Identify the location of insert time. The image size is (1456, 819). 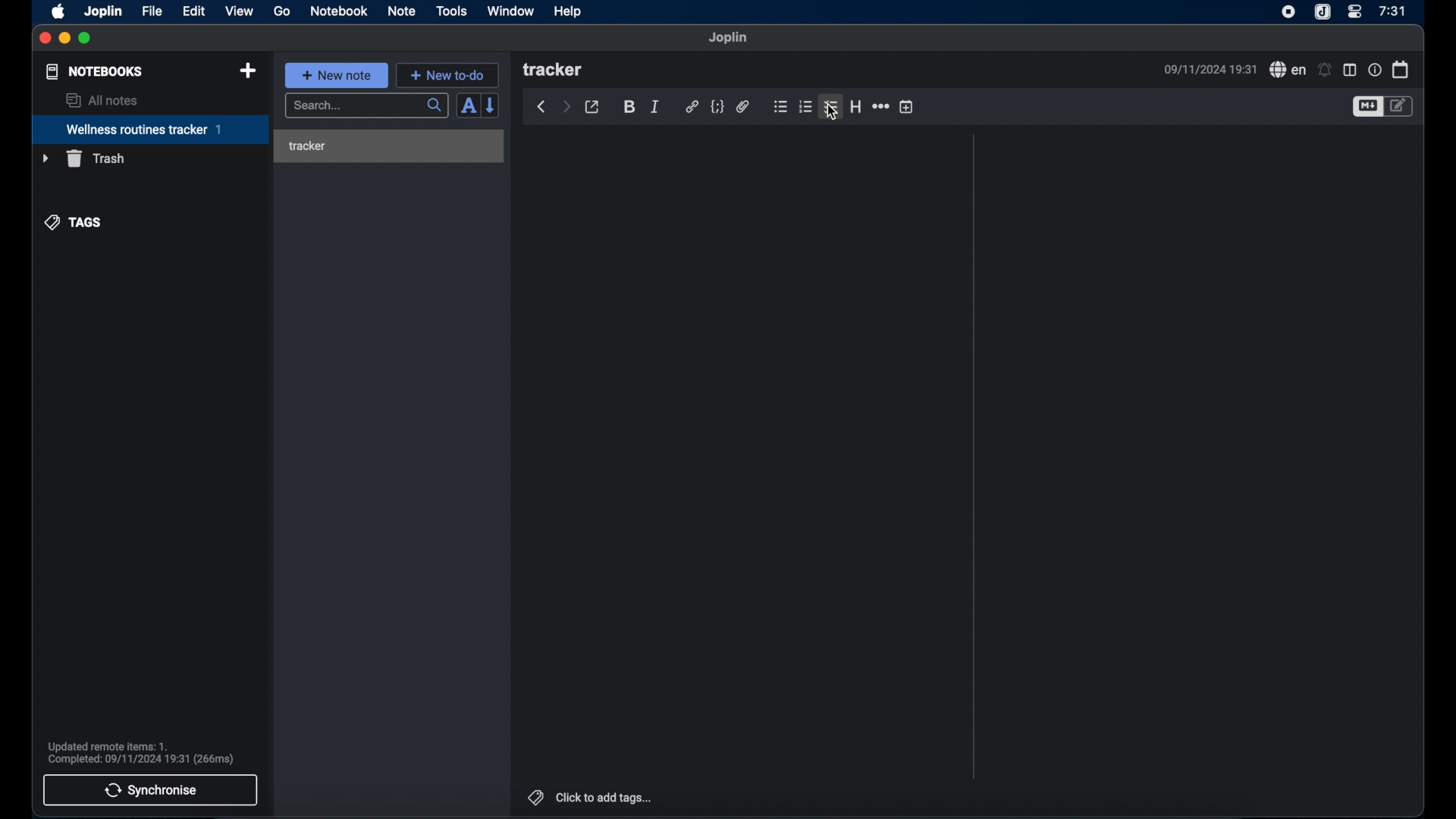
(906, 106).